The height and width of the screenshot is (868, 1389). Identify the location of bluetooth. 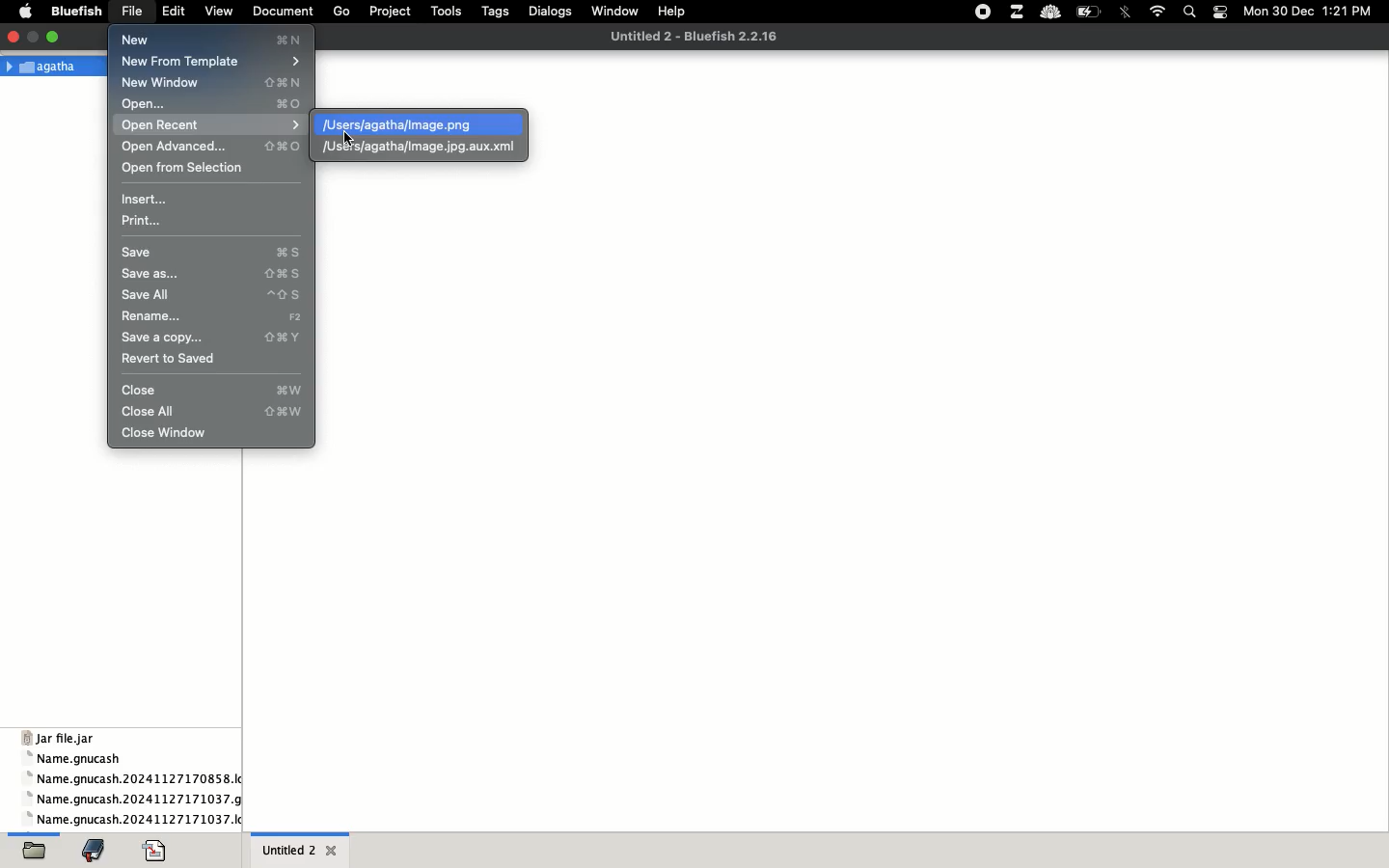
(1127, 12).